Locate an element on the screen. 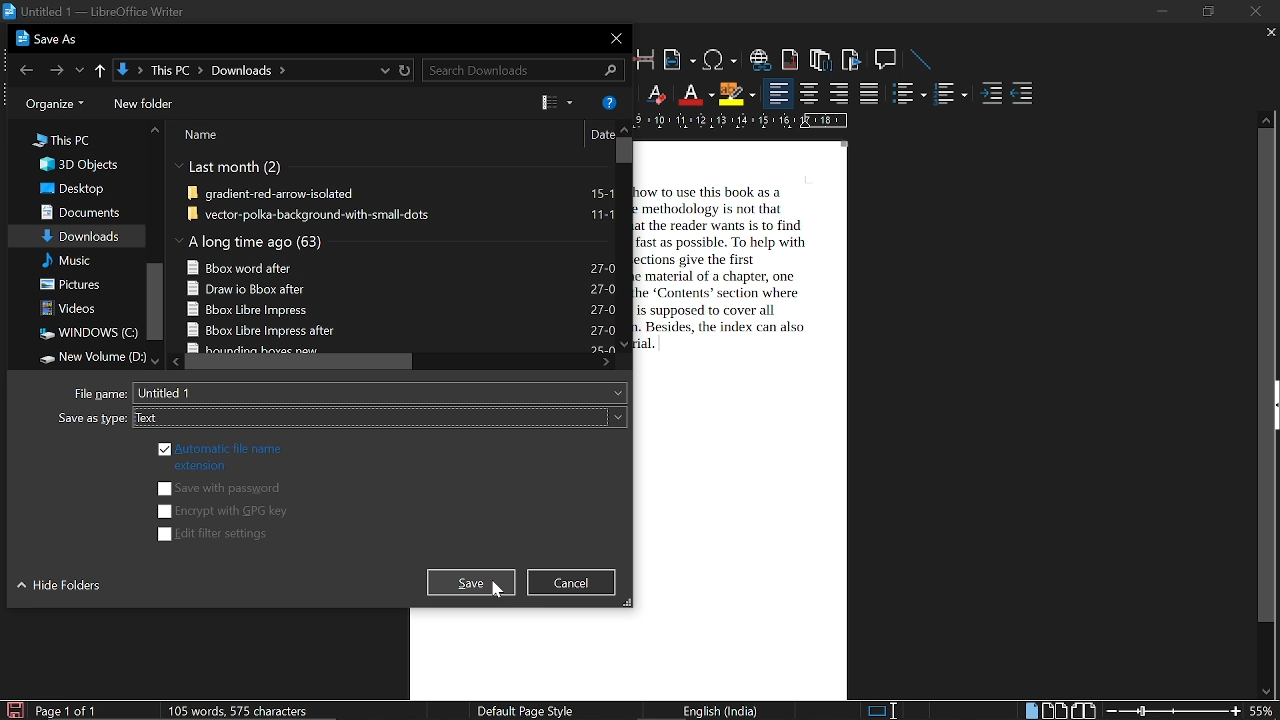 This screenshot has height=720, width=1280. vector-polka-background-with-small-dots 11-1 is located at coordinates (401, 214).